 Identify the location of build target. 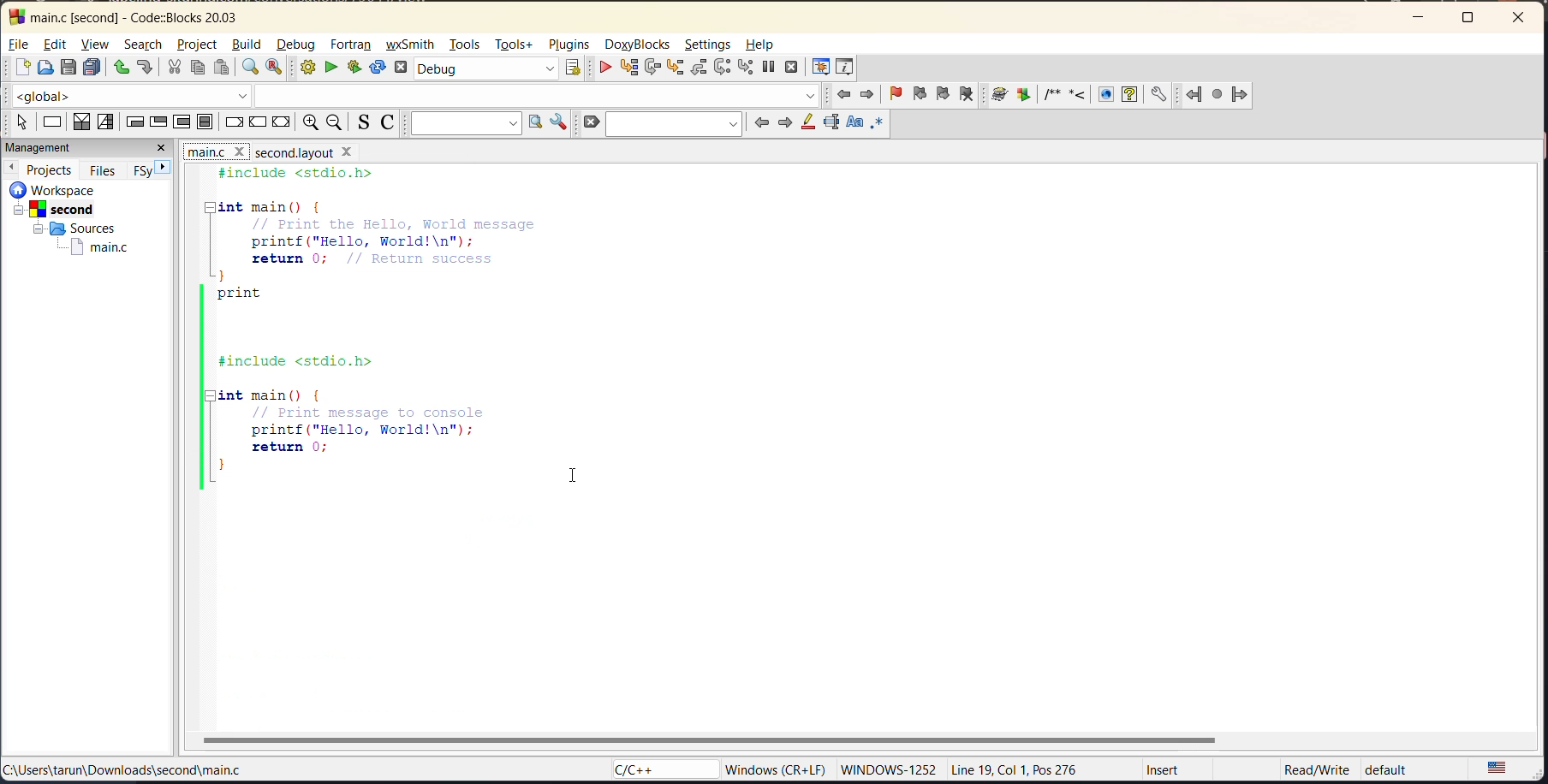
(487, 68).